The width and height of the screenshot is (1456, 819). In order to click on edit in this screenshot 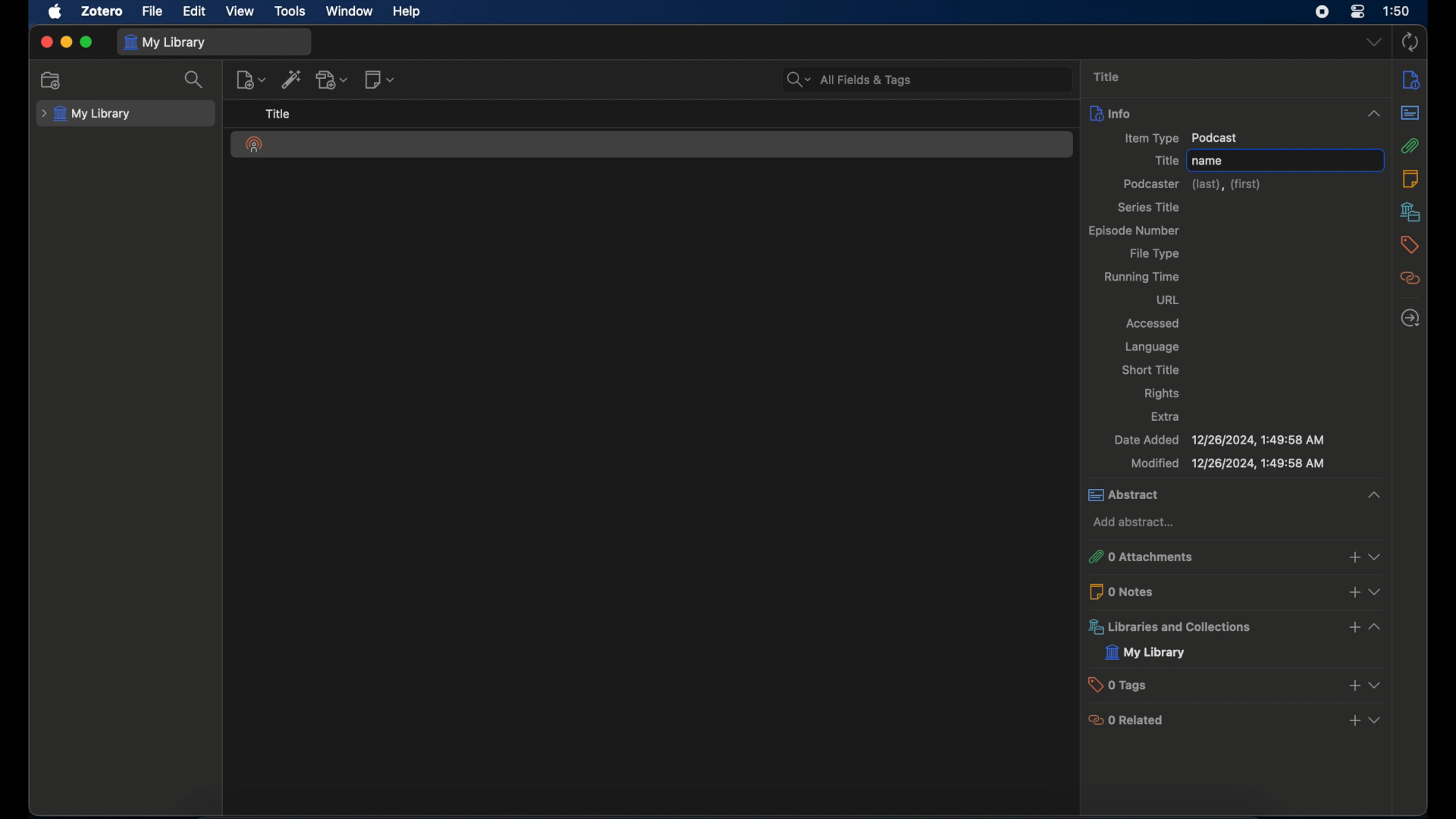, I will do `click(196, 11)`.